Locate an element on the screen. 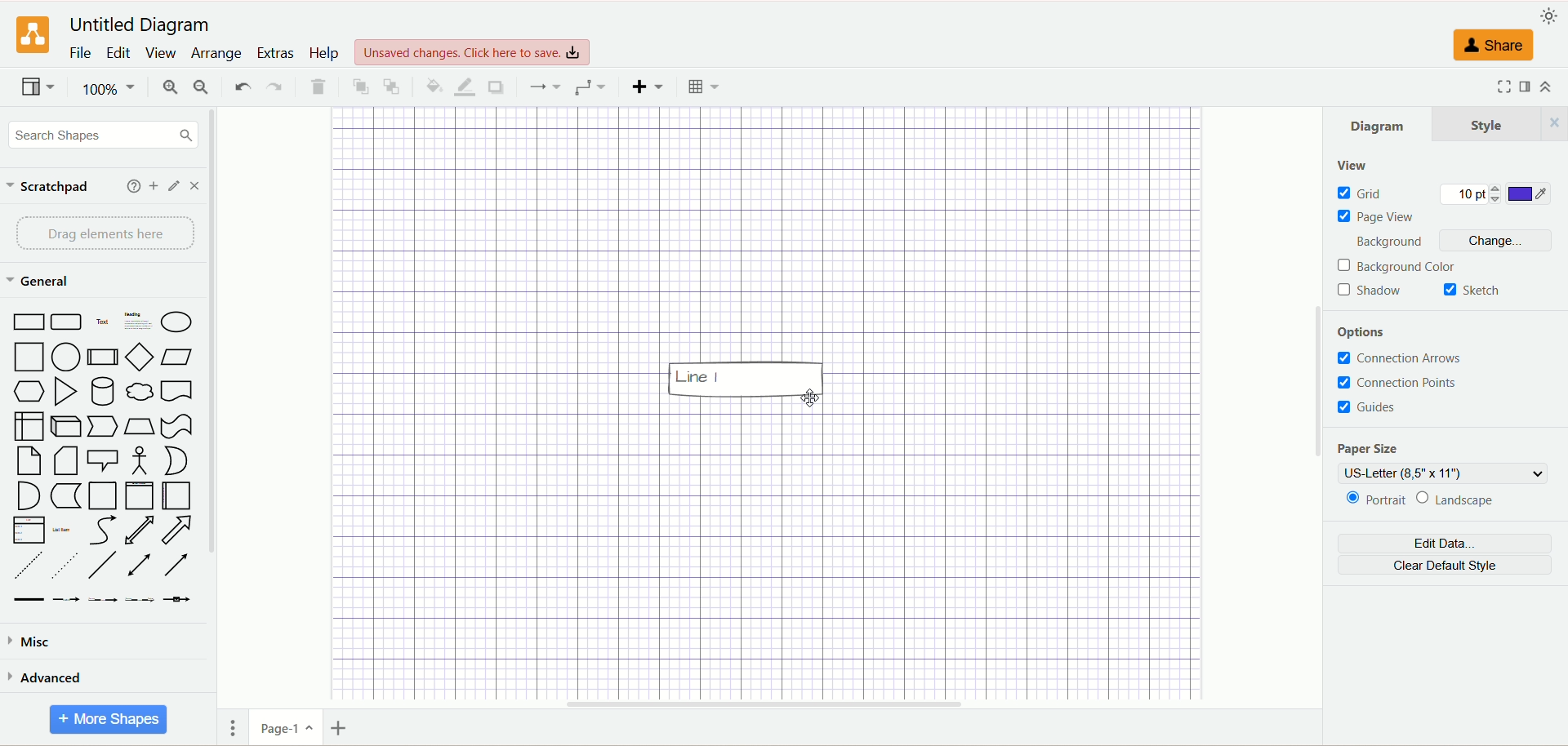 The height and width of the screenshot is (746, 1568). Link is located at coordinates (29, 601).